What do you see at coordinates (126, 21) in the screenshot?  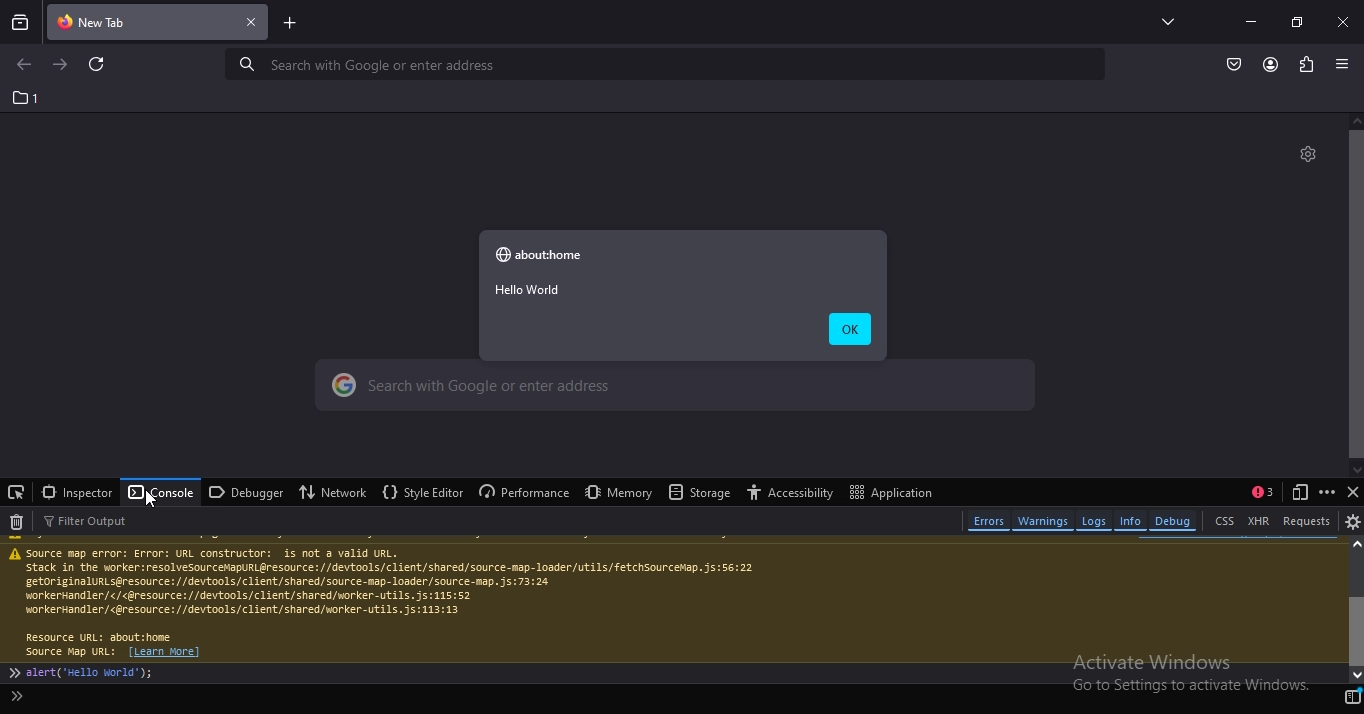 I see `current tab` at bounding box center [126, 21].